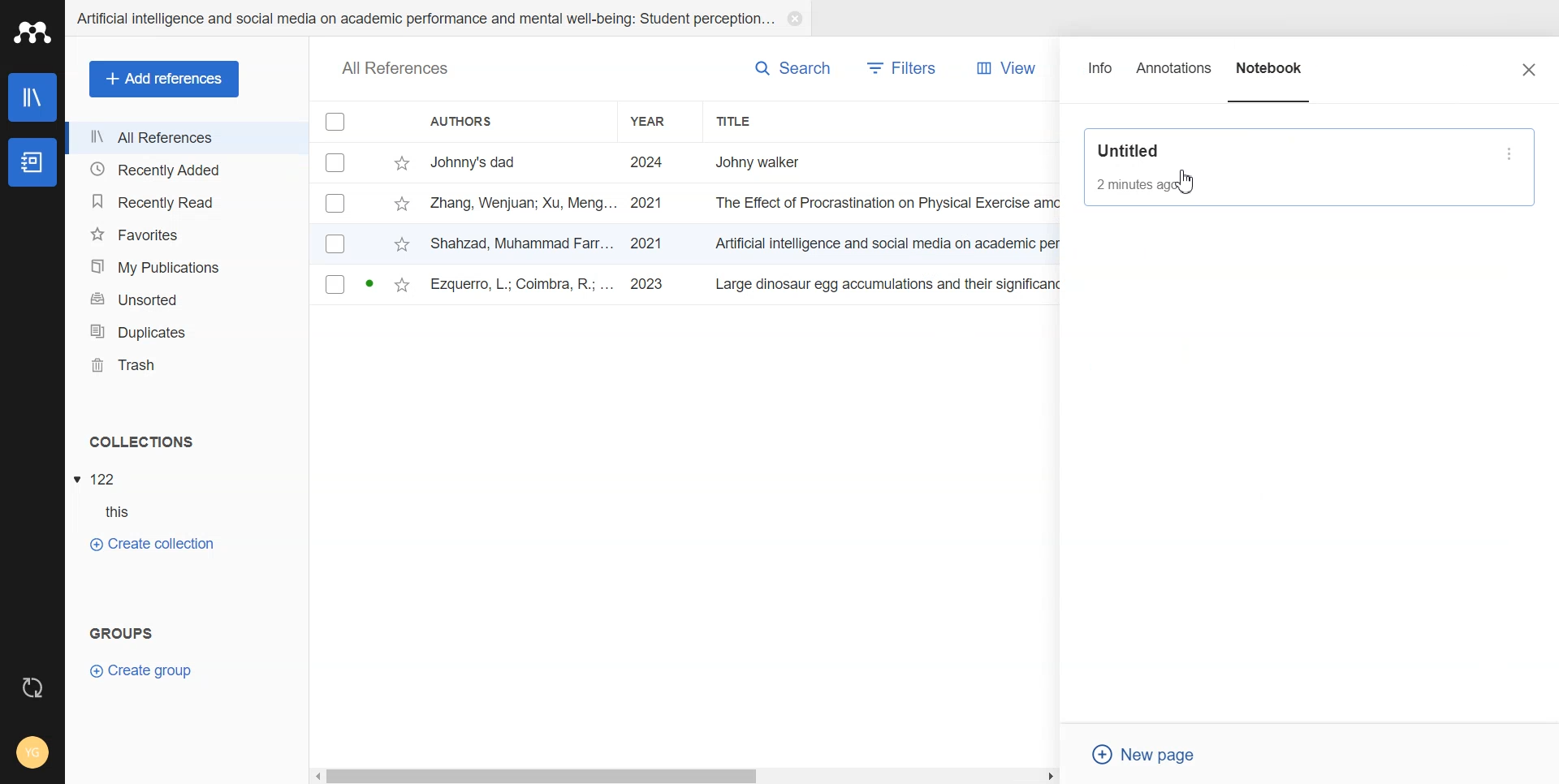  What do you see at coordinates (123, 631) in the screenshot?
I see `groups` at bounding box center [123, 631].